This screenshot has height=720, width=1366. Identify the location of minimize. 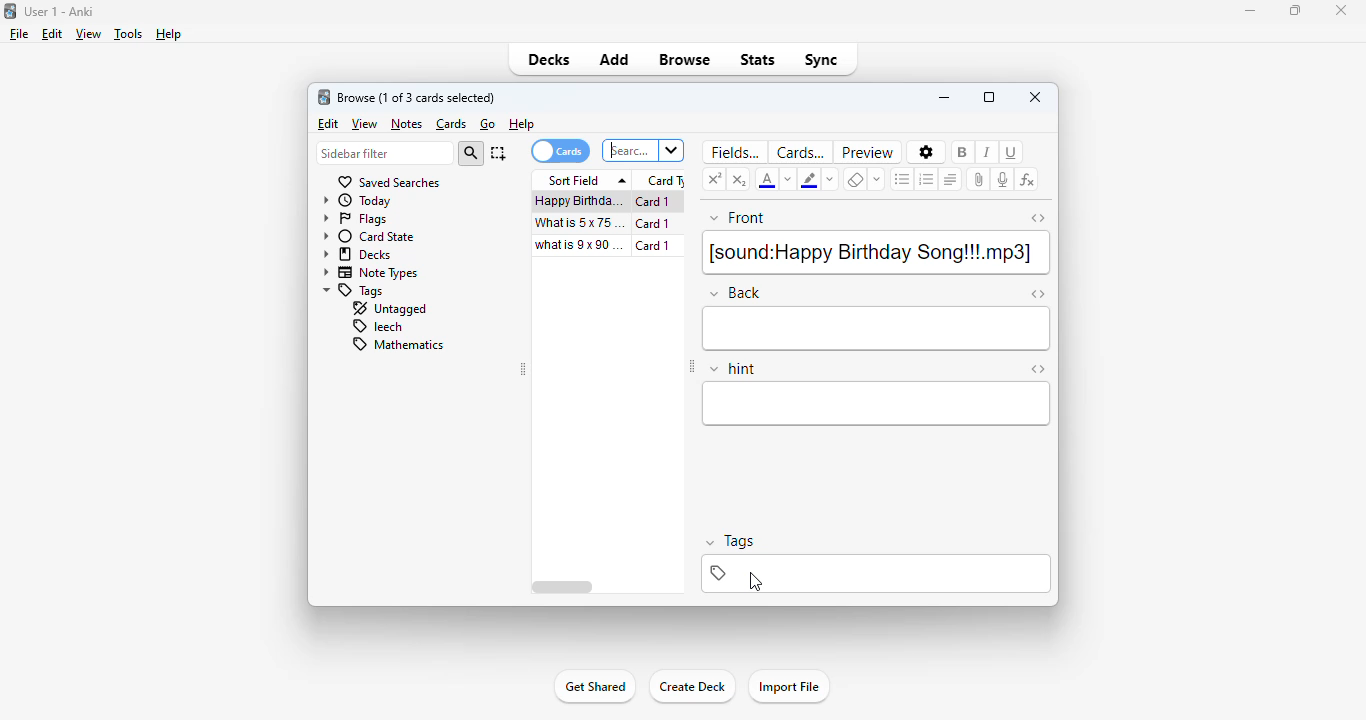
(1252, 11).